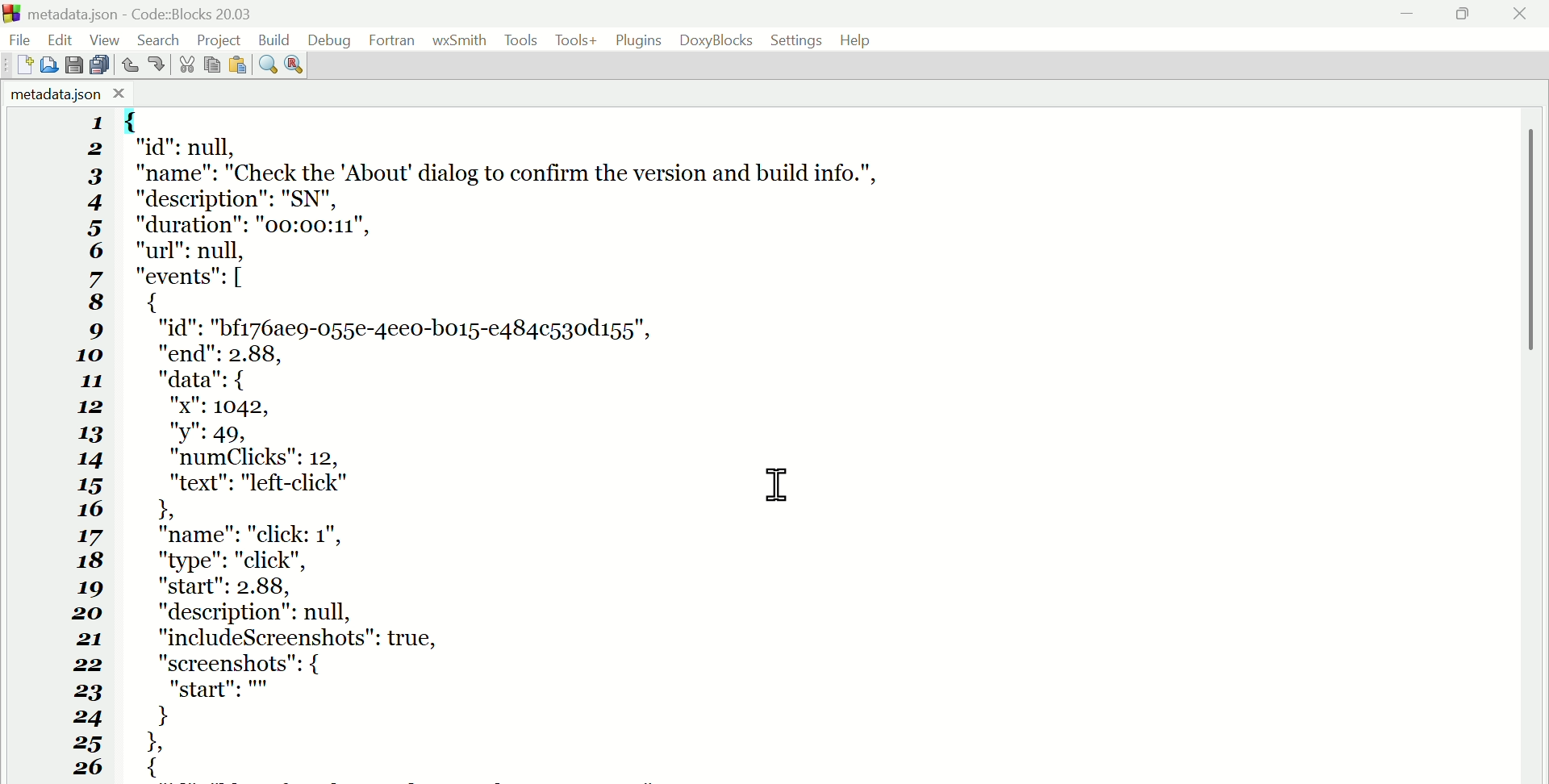  Describe the element at coordinates (328, 37) in the screenshot. I see `Debug` at that location.